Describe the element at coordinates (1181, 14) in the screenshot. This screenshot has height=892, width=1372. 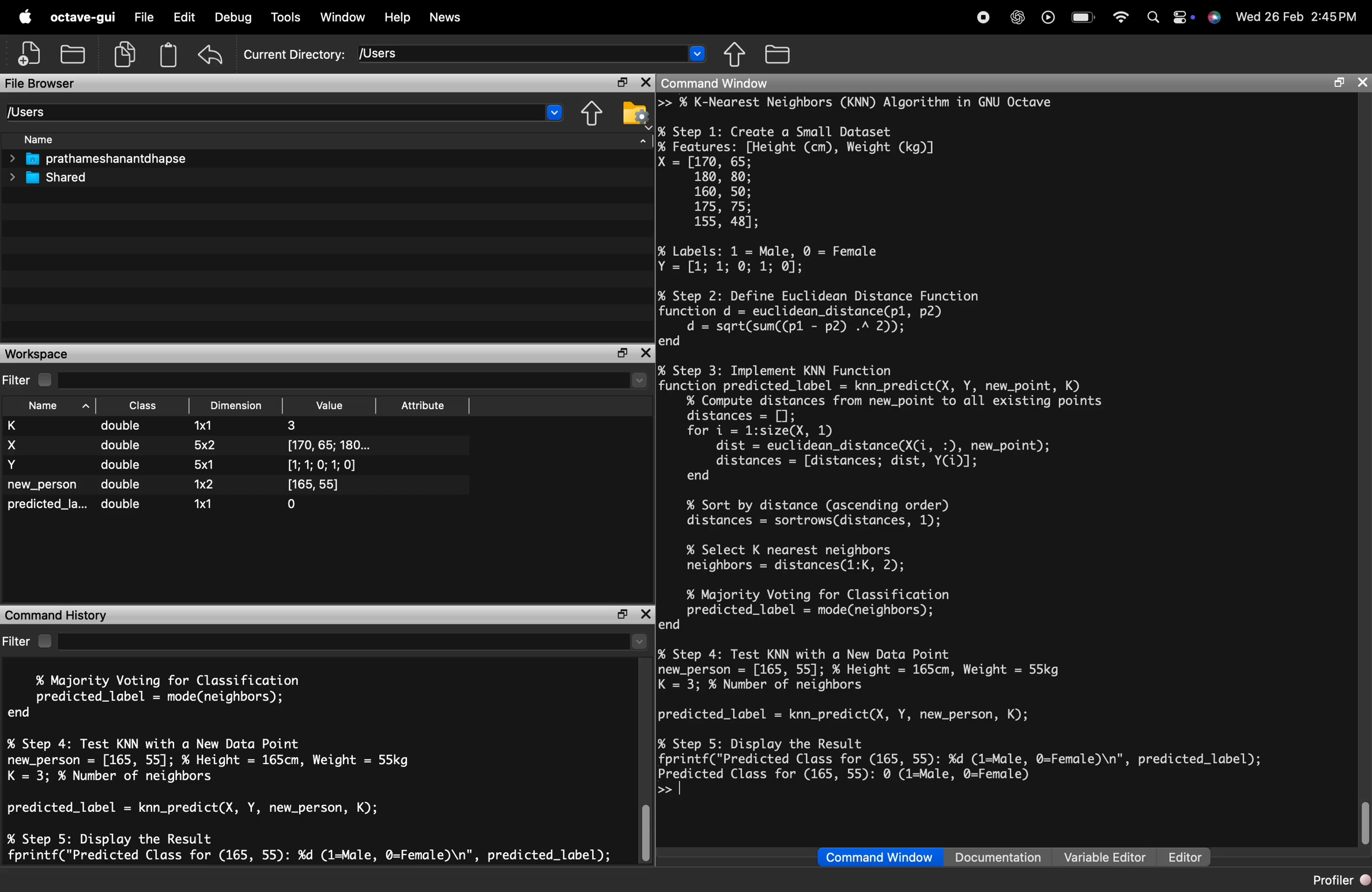
I see `settings` at that location.